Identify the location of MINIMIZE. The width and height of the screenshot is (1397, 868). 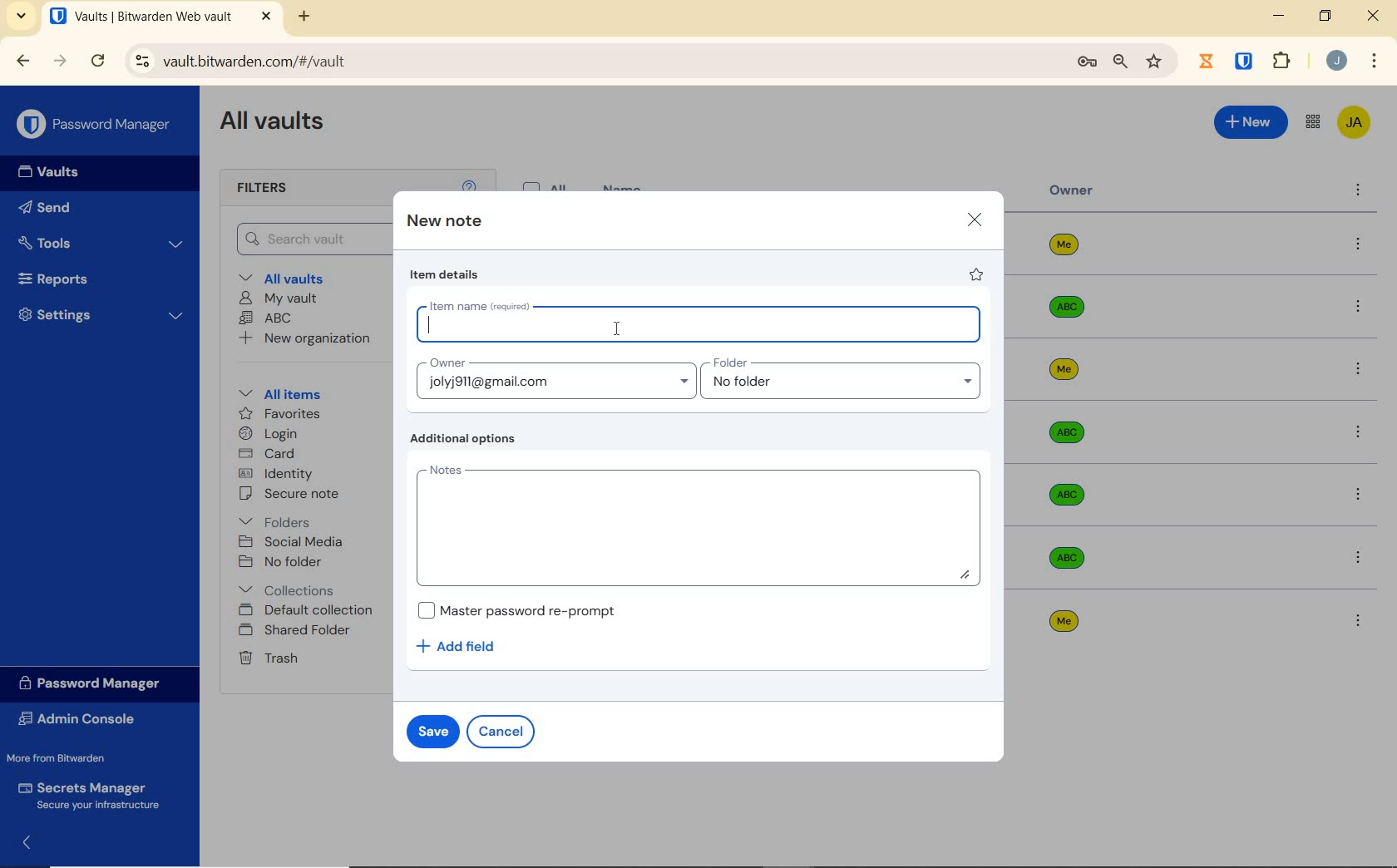
(1281, 17).